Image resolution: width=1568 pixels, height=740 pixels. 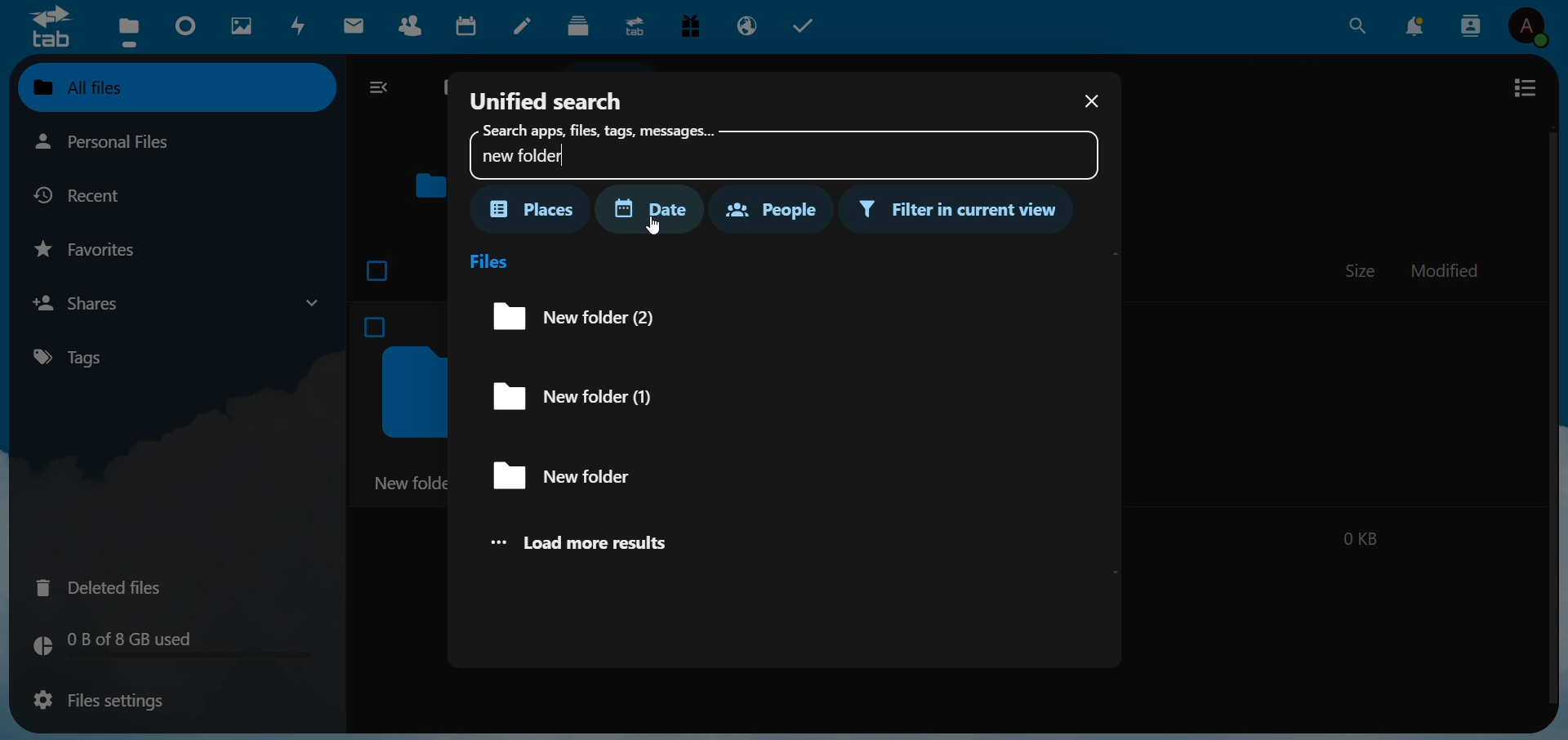 I want to click on load more results, so click(x=597, y=543).